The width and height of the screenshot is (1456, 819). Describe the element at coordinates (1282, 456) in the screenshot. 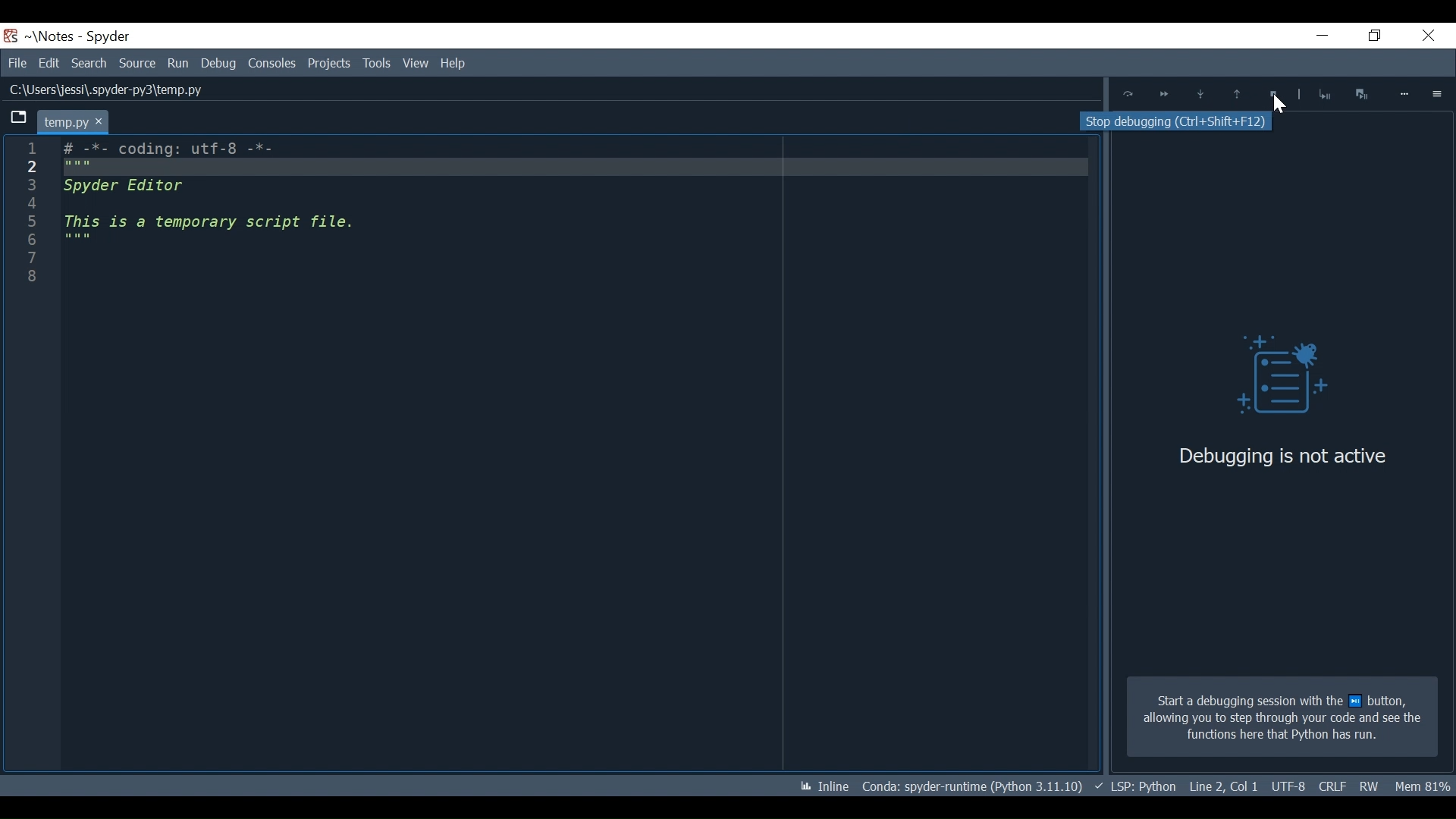

I see `Debugging is not active` at that location.